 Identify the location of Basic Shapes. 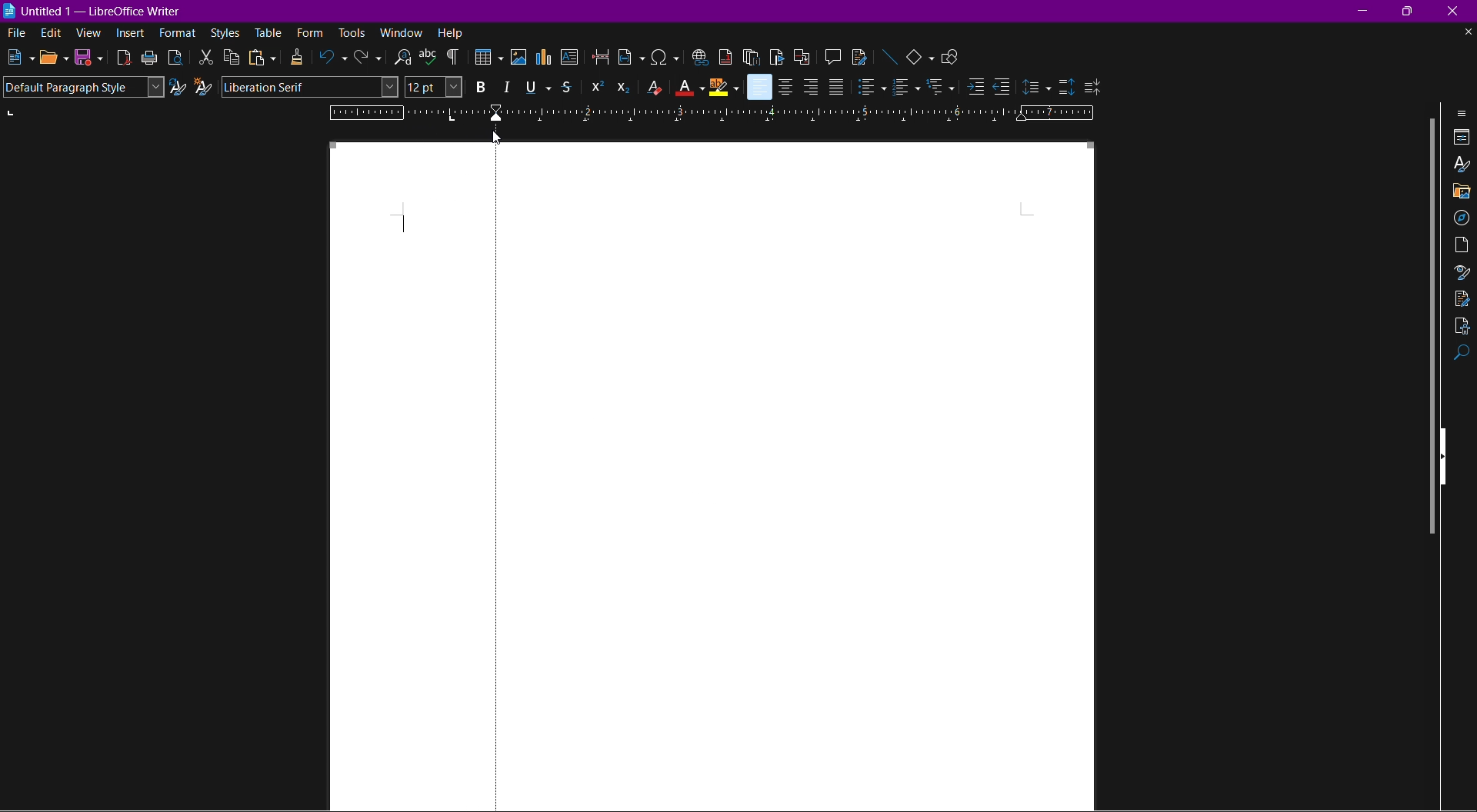
(922, 55).